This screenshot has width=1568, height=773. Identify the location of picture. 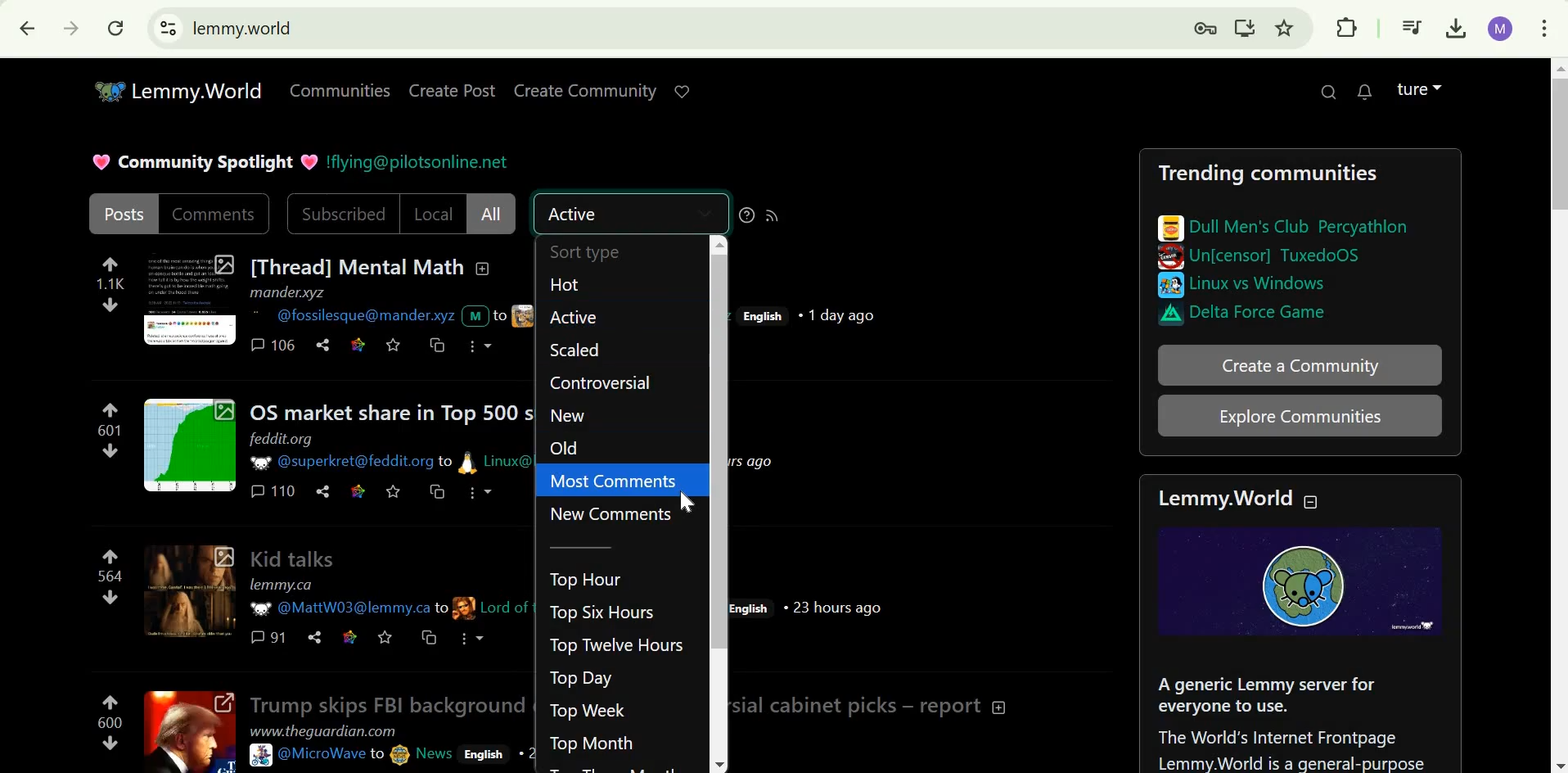
(258, 460).